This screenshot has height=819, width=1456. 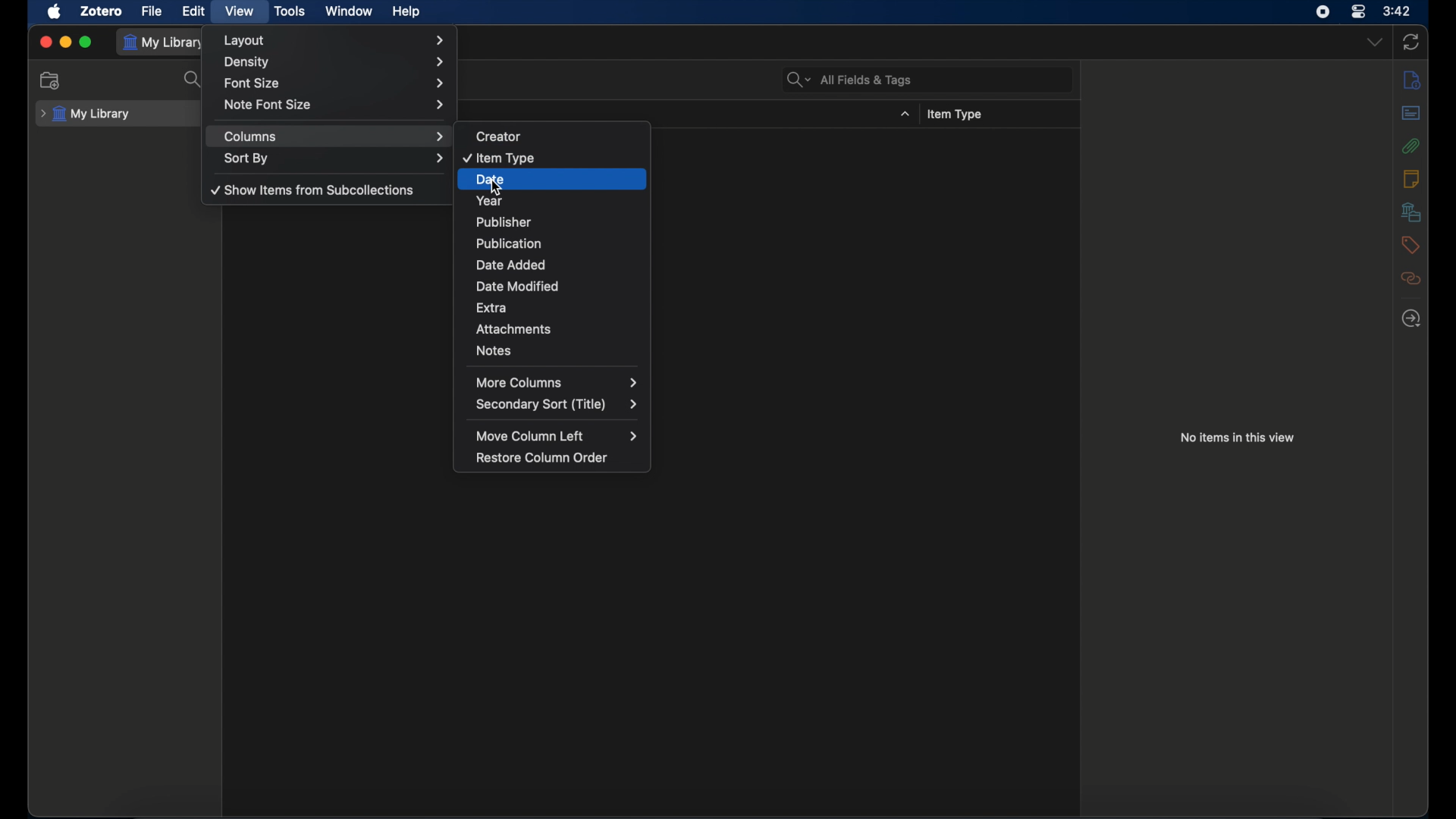 I want to click on locate, so click(x=1410, y=317).